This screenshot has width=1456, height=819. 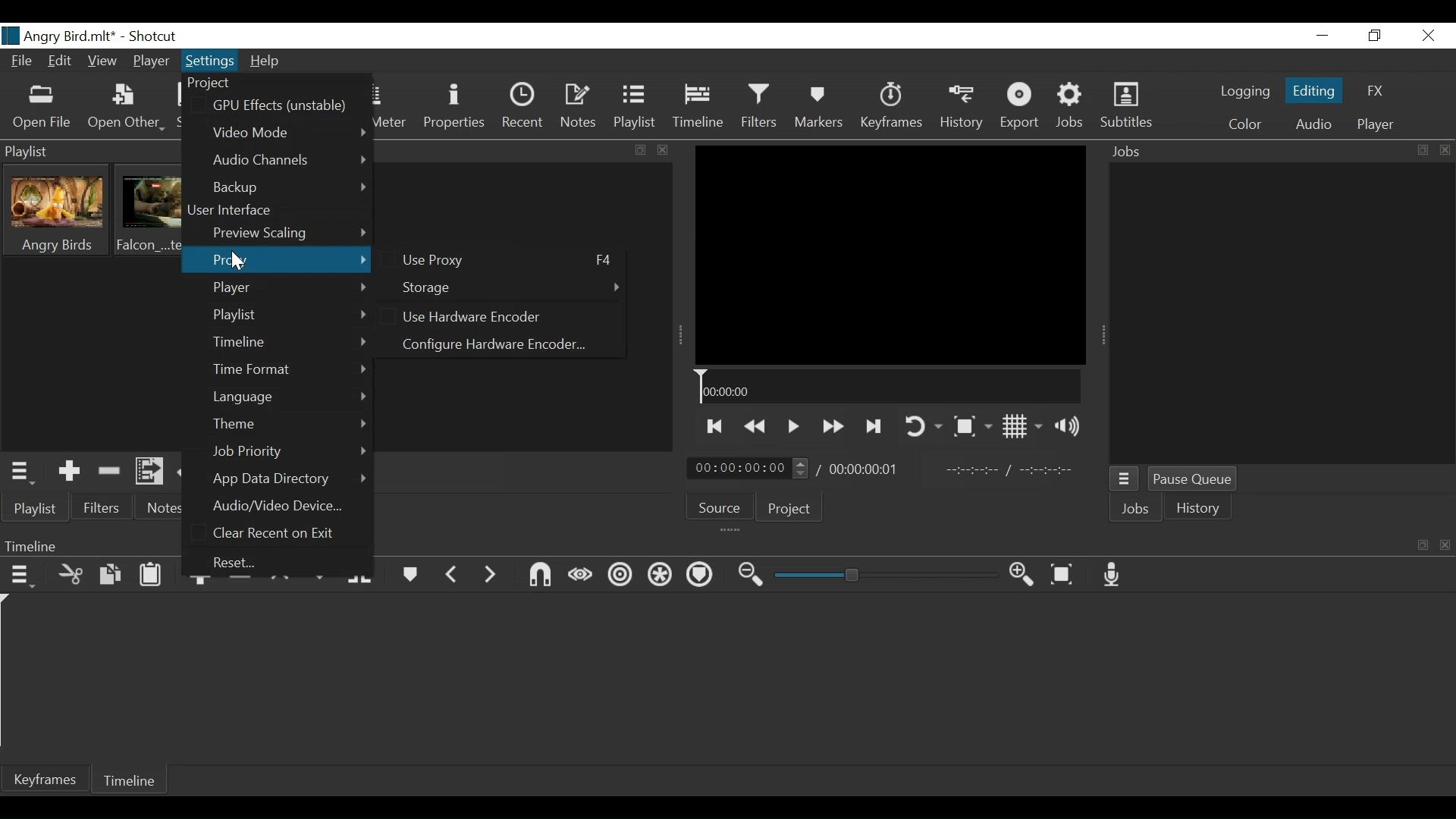 I want to click on Record audio, so click(x=1113, y=573).